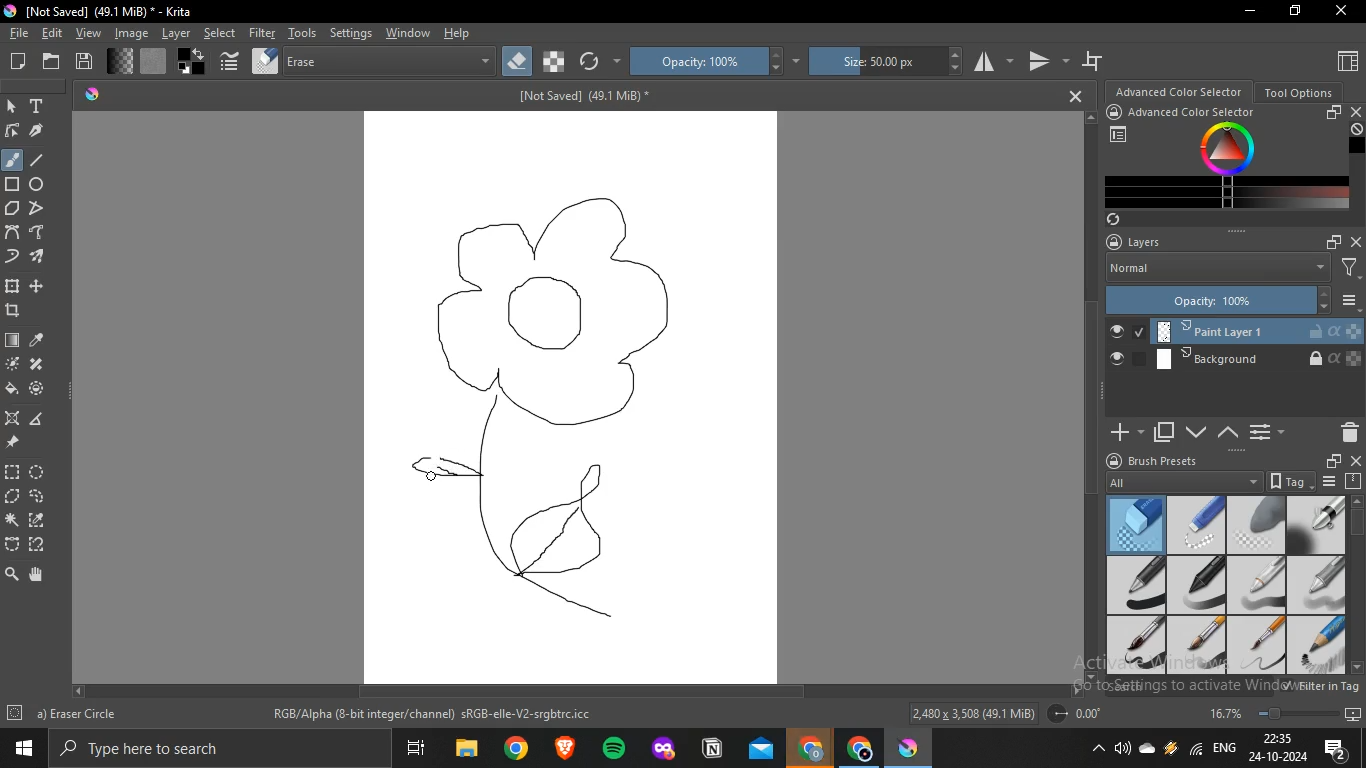  I want to click on set eraser mode, so click(516, 63).